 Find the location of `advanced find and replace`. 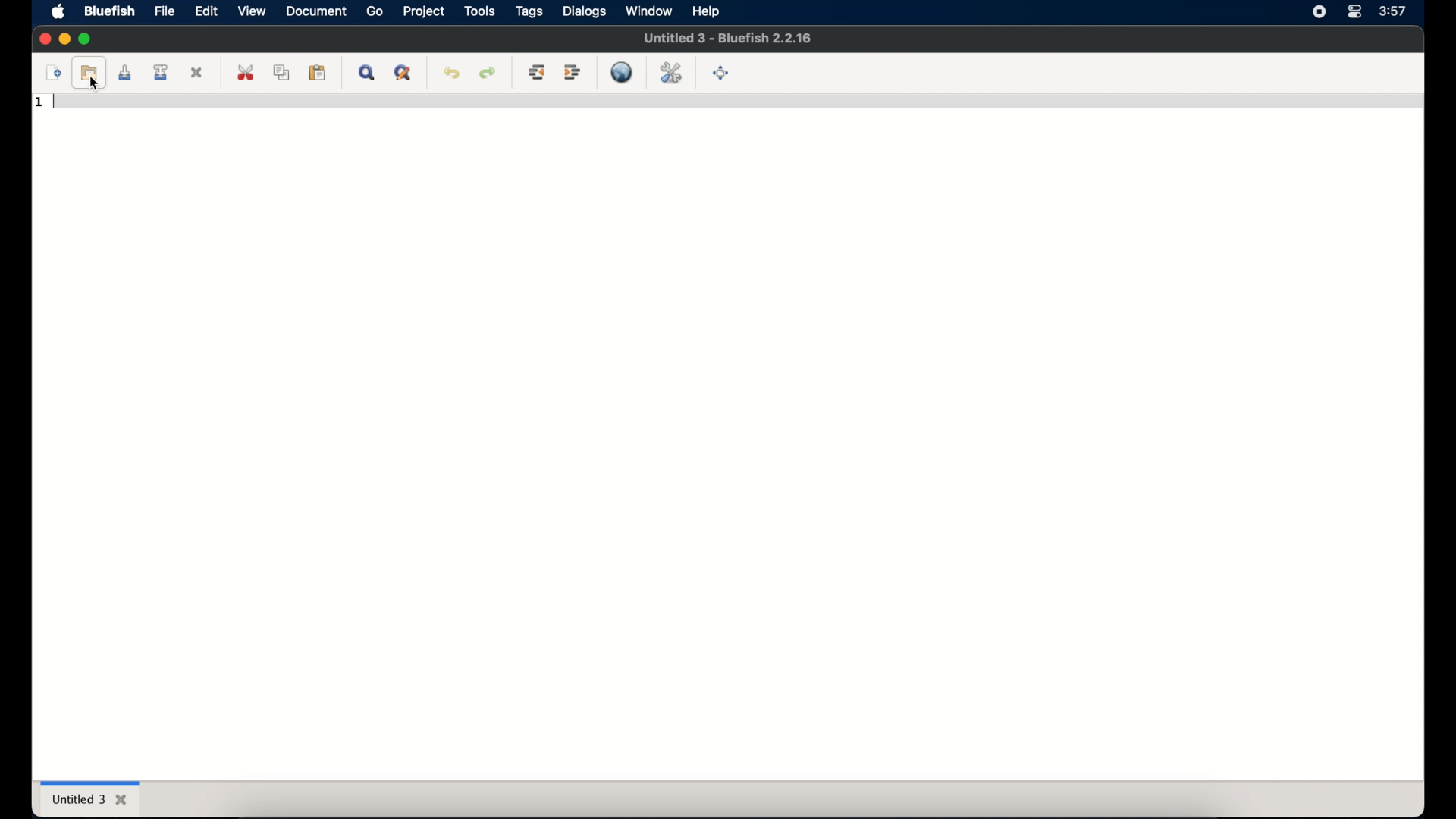

advanced find and replace is located at coordinates (402, 74).